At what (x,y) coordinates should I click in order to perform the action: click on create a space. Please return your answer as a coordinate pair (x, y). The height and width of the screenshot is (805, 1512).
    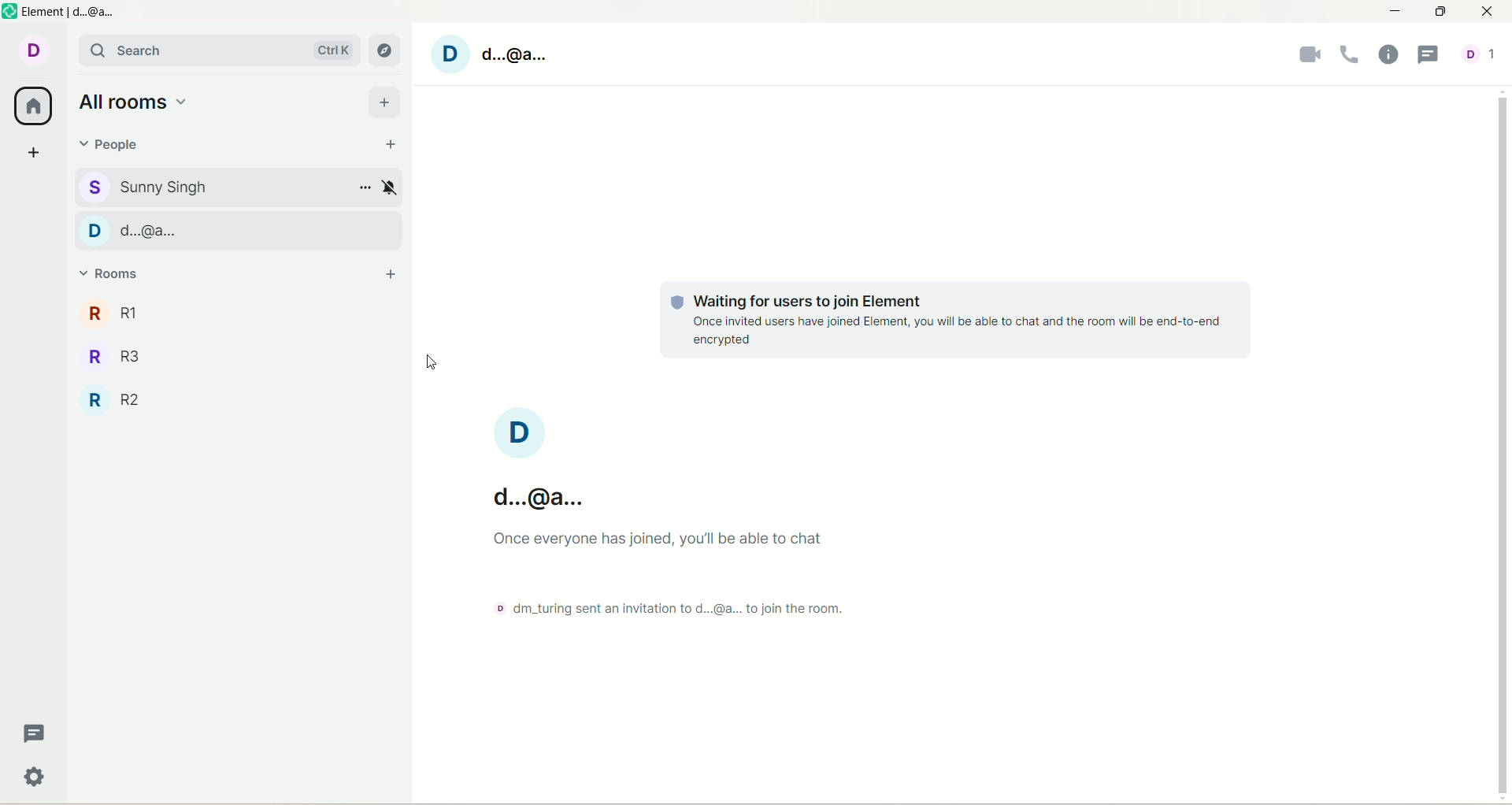
    Looking at the image, I should click on (31, 150).